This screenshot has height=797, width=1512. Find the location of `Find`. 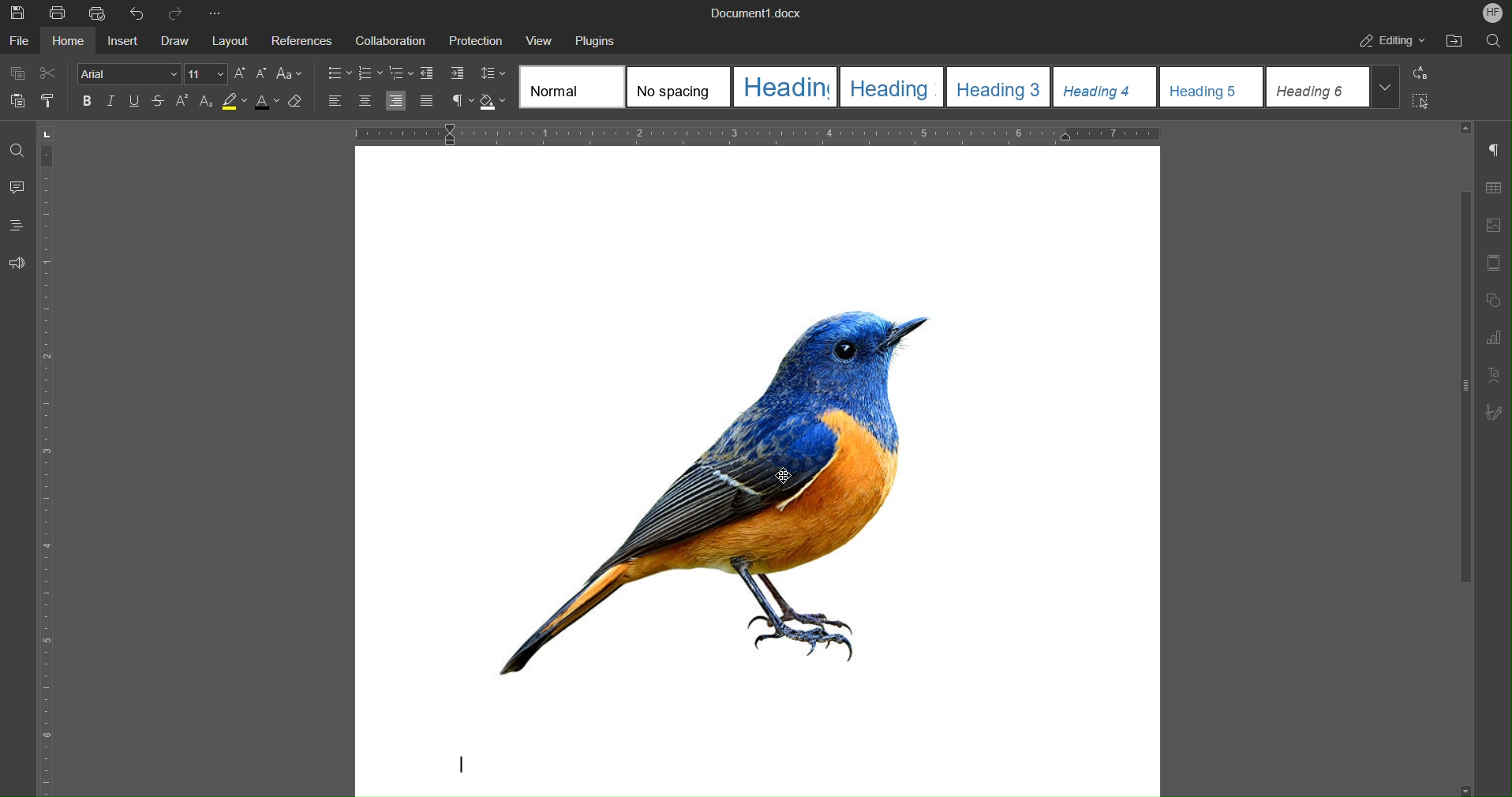

Find is located at coordinates (16, 151).